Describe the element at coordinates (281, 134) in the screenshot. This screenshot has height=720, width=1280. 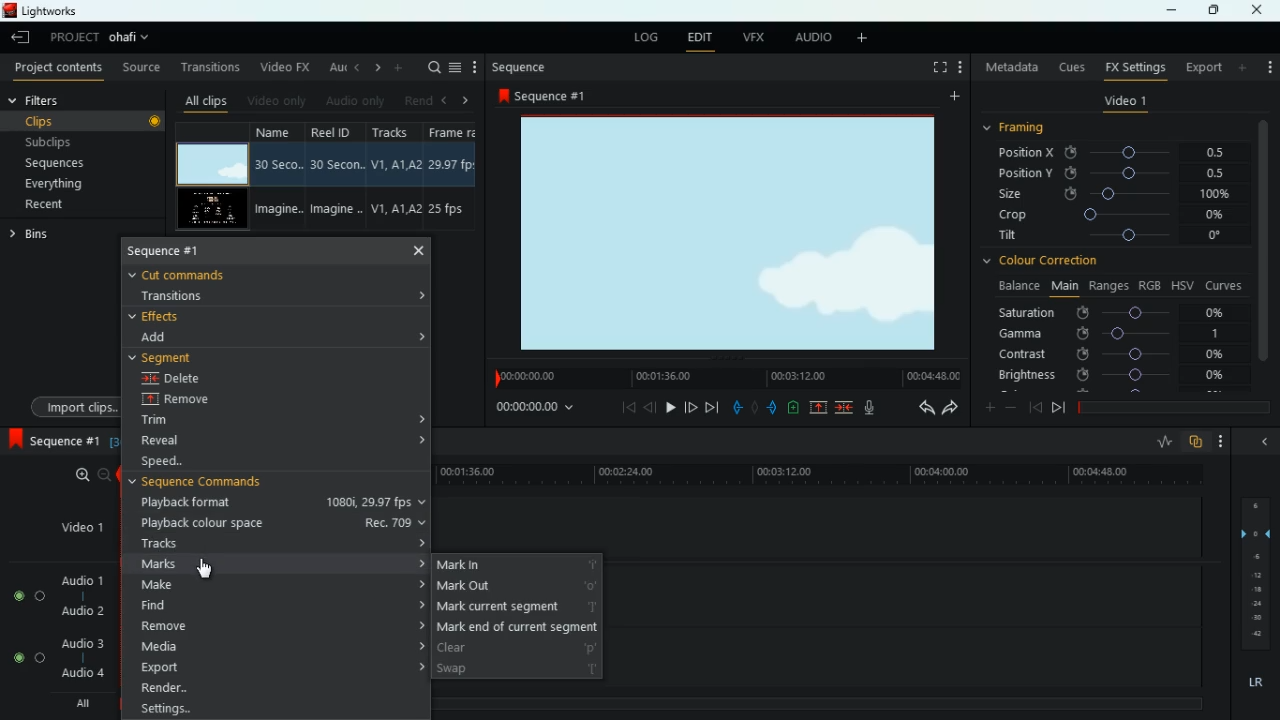
I see `name` at that location.